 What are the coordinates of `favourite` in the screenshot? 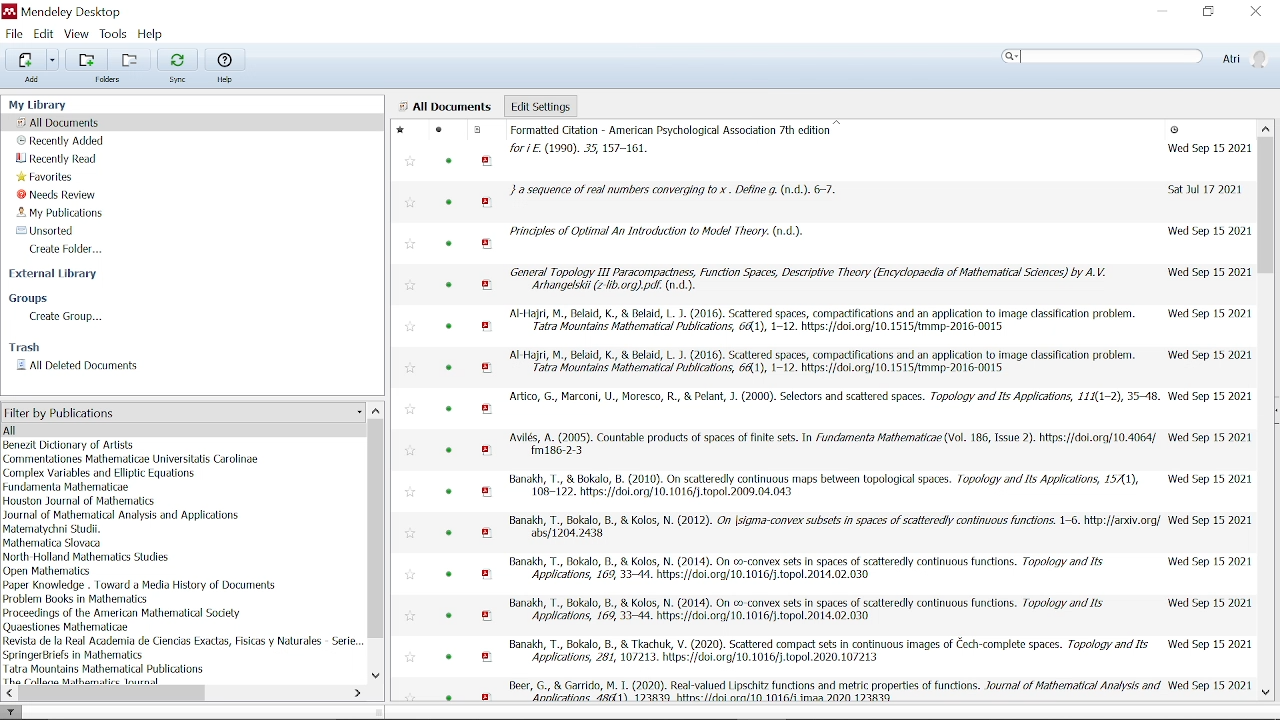 It's located at (412, 245).